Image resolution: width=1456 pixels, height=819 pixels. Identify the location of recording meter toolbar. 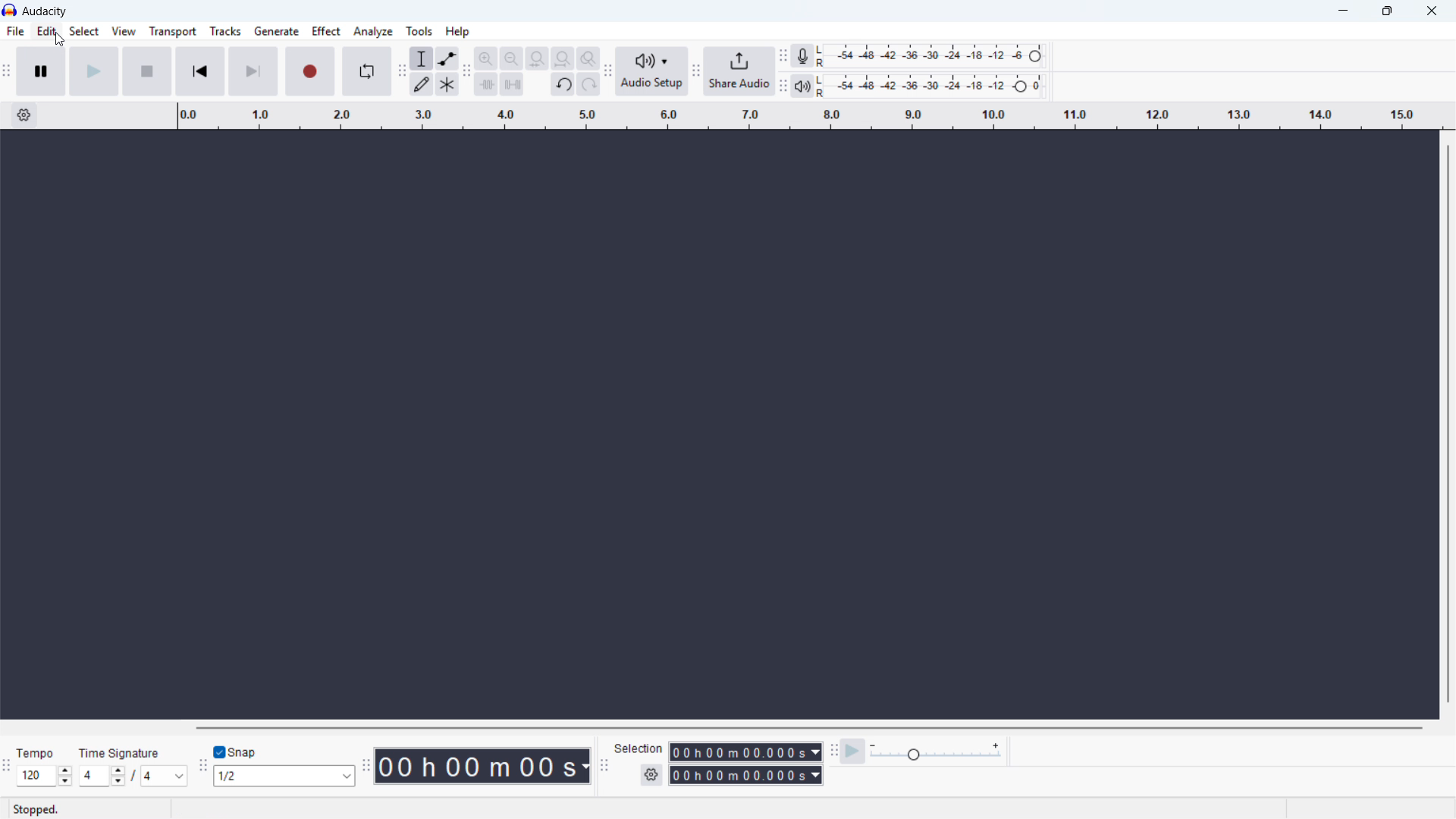
(783, 55).